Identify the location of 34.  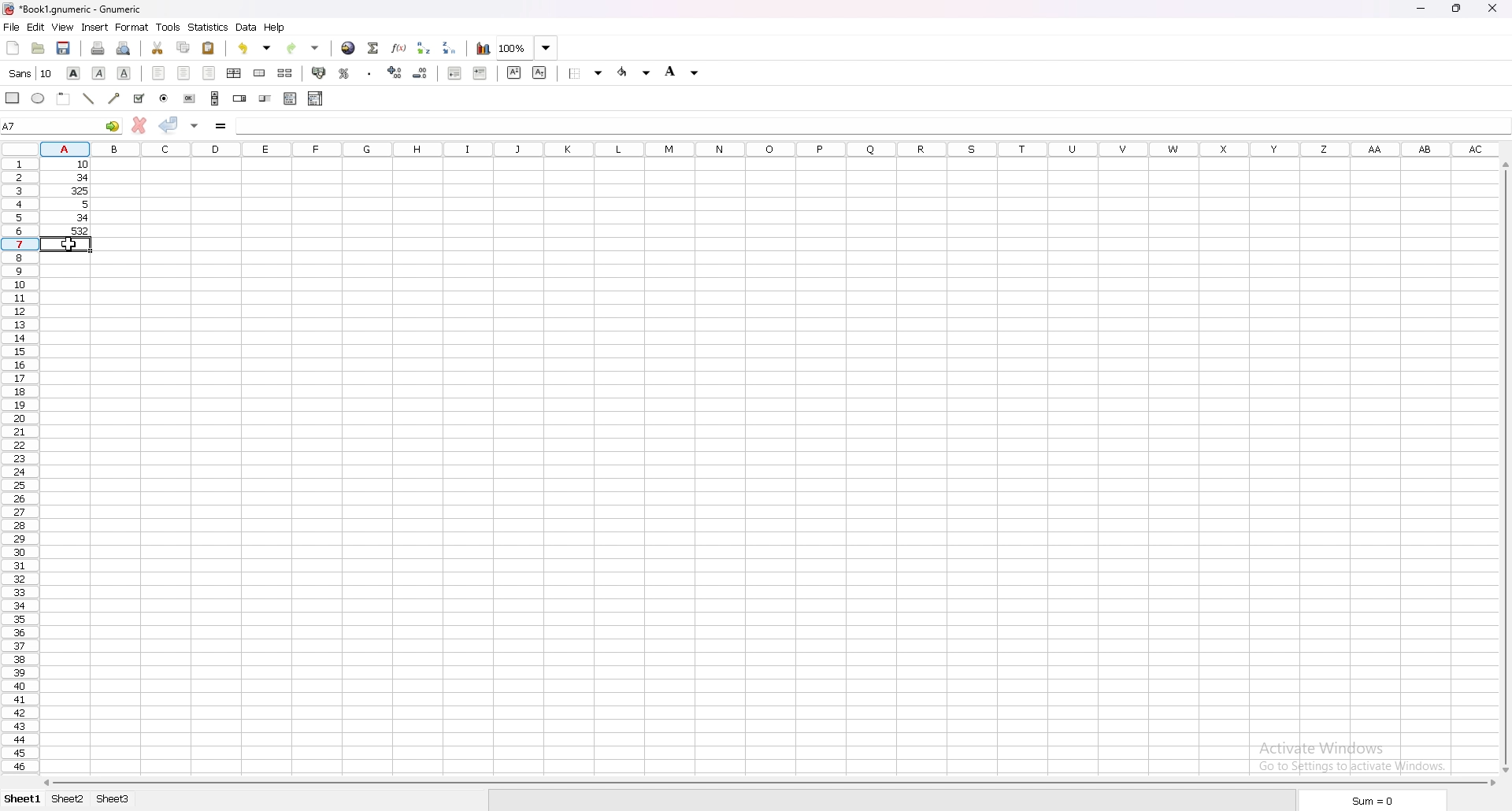
(70, 218).